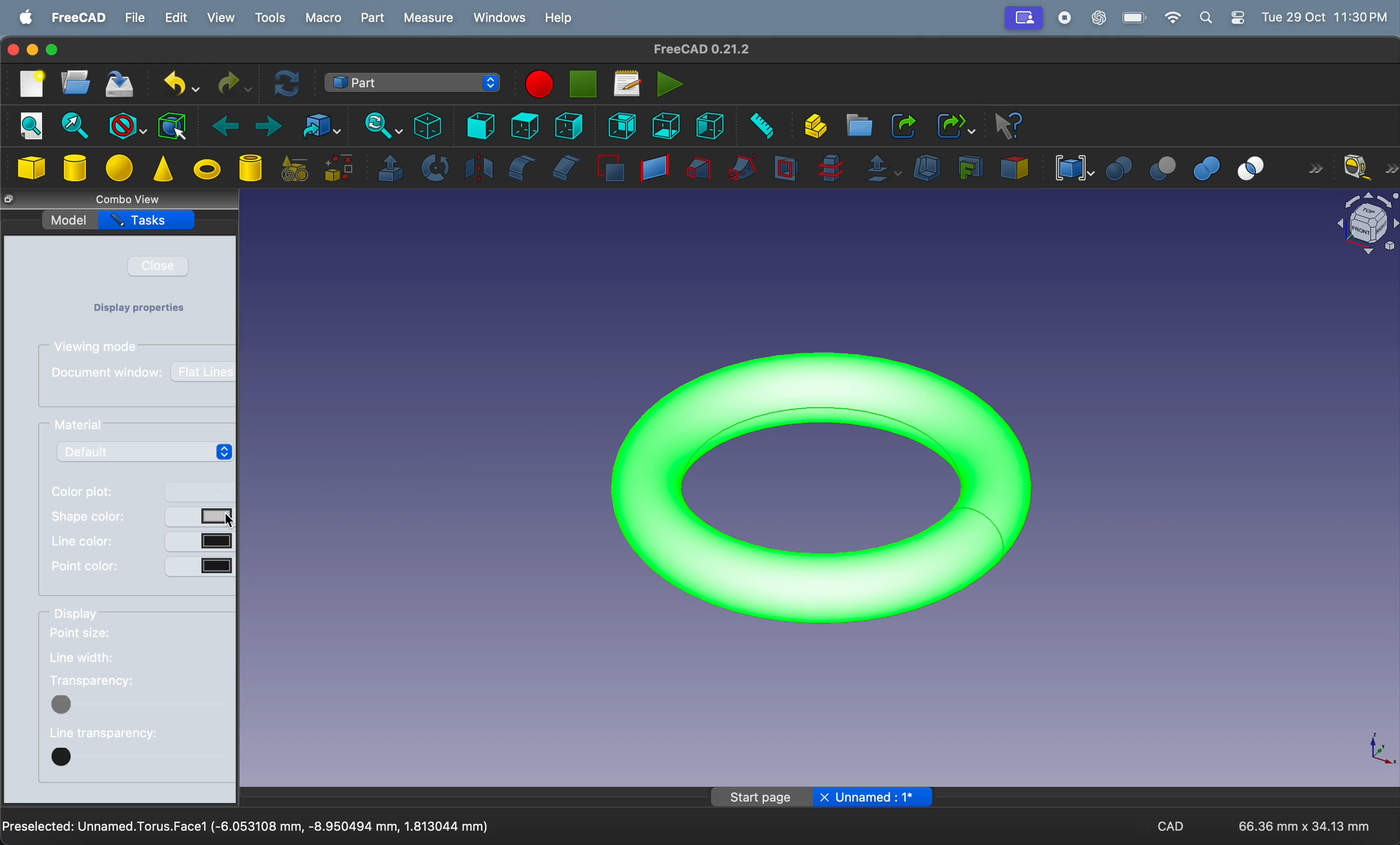 Image resolution: width=1400 pixels, height=845 pixels. I want to click on settings, so click(1239, 18).